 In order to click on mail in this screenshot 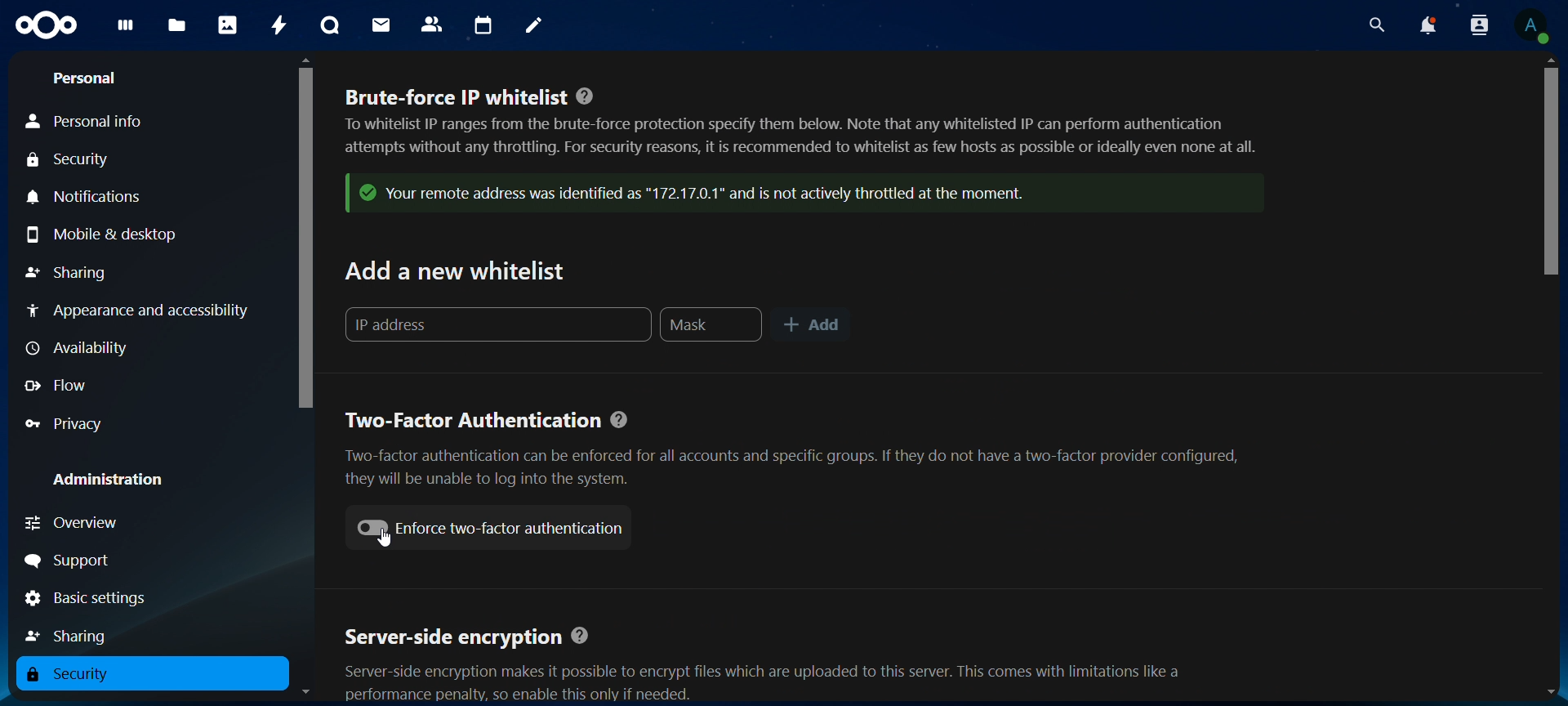, I will do `click(381, 25)`.